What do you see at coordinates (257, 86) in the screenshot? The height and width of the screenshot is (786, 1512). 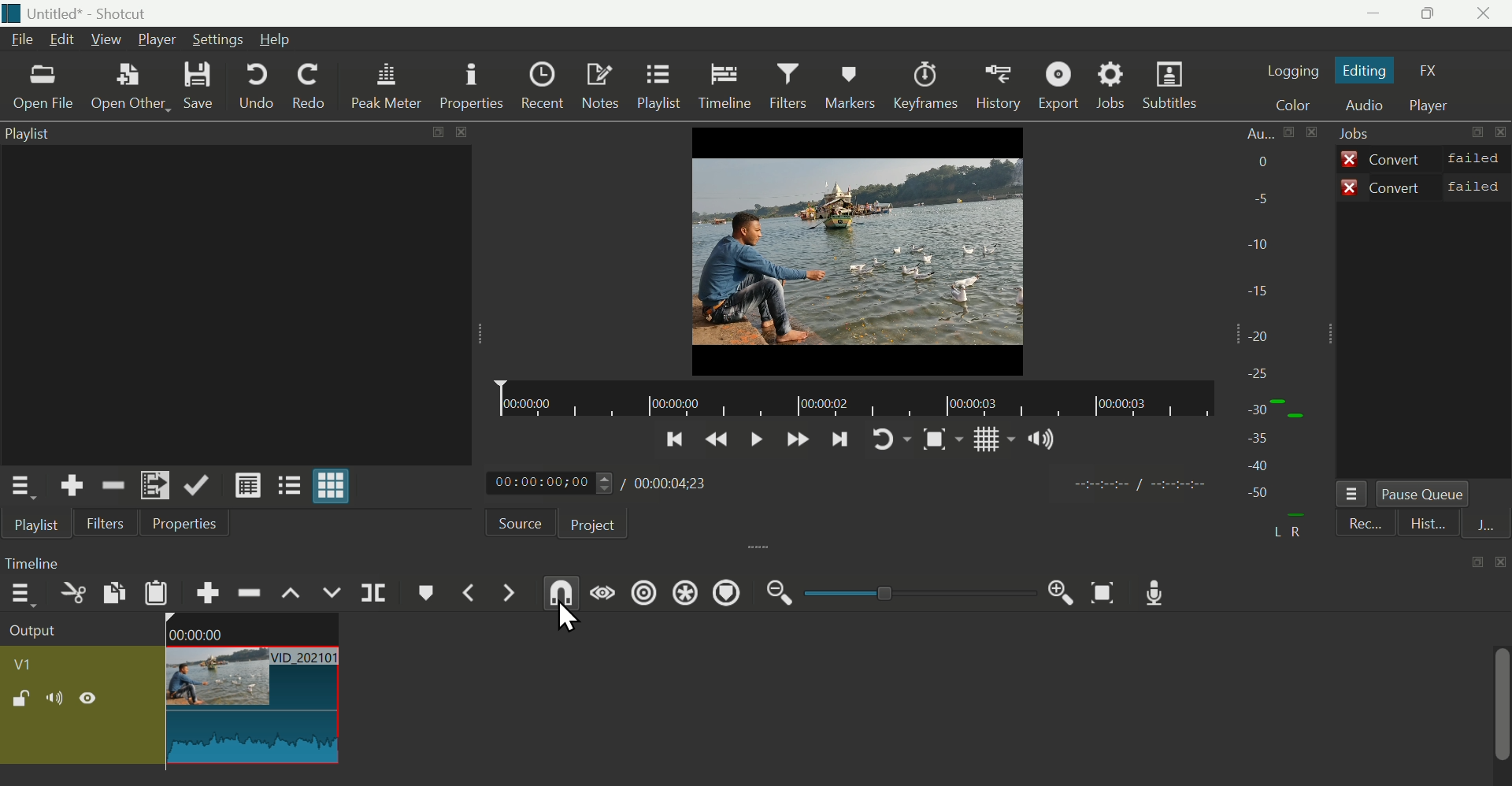 I see `Undo` at bounding box center [257, 86].